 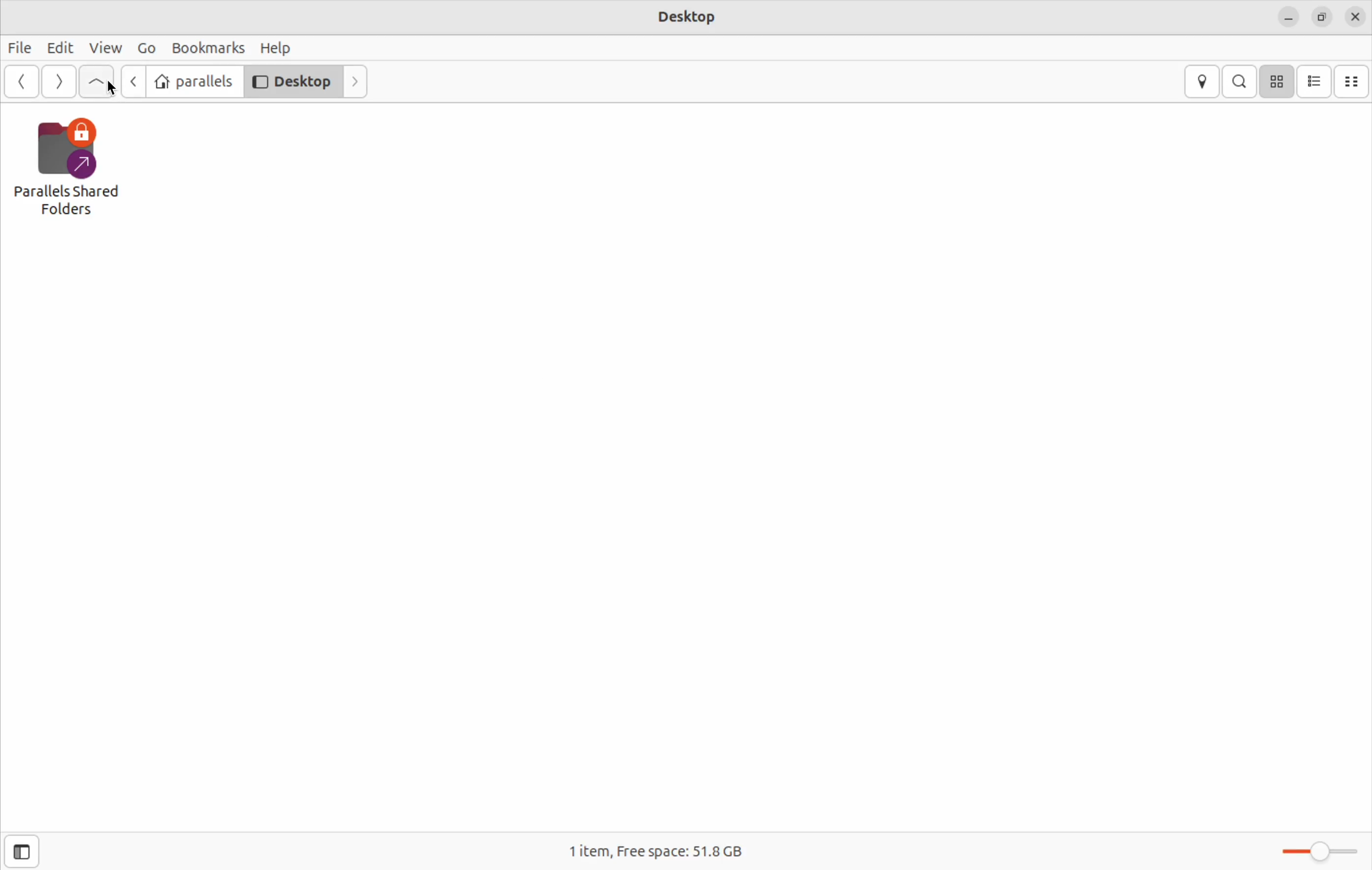 I want to click on parallel shared folders, so click(x=72, y=170).